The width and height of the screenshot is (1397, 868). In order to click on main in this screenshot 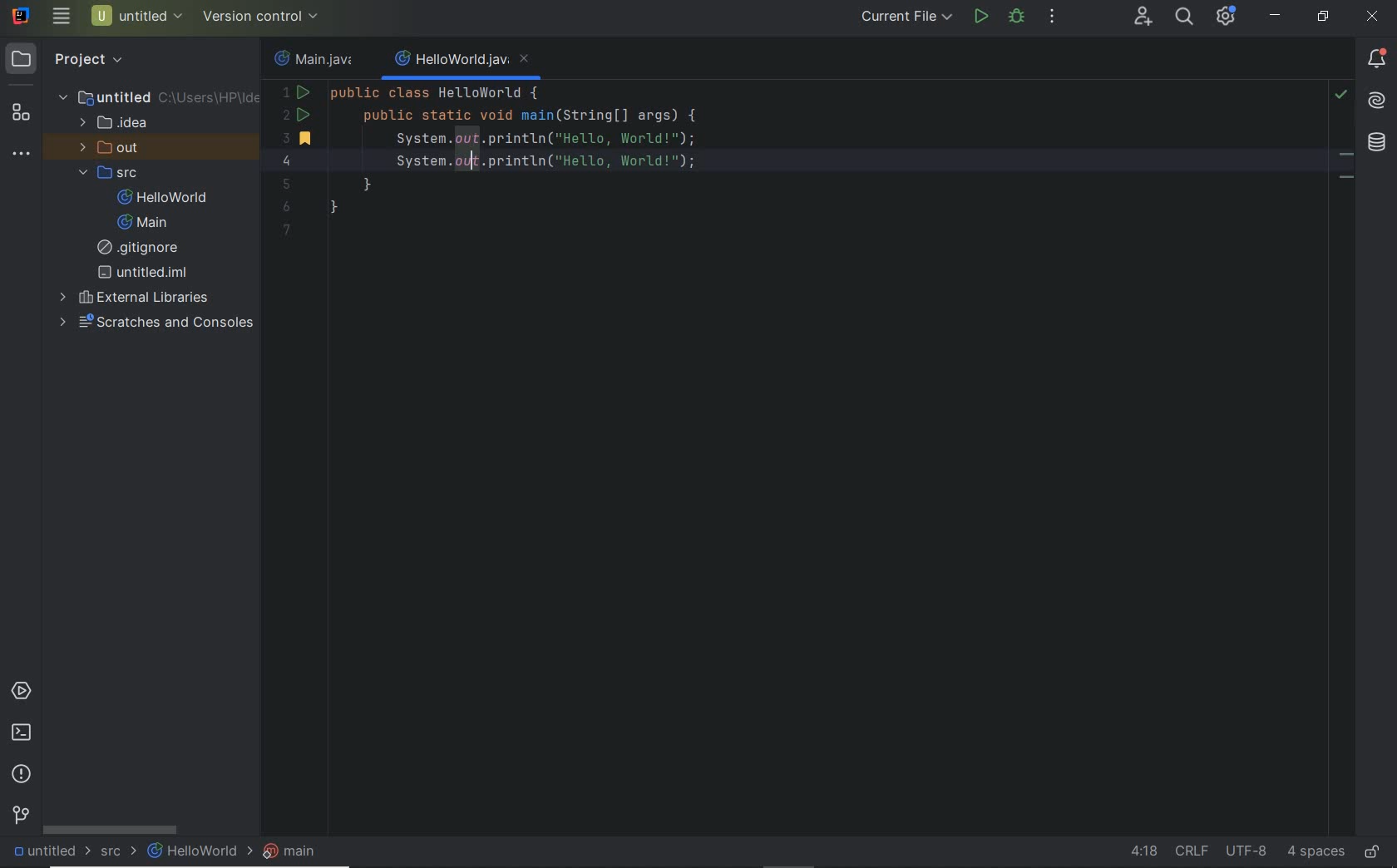, I will do `click(142, 223)`.